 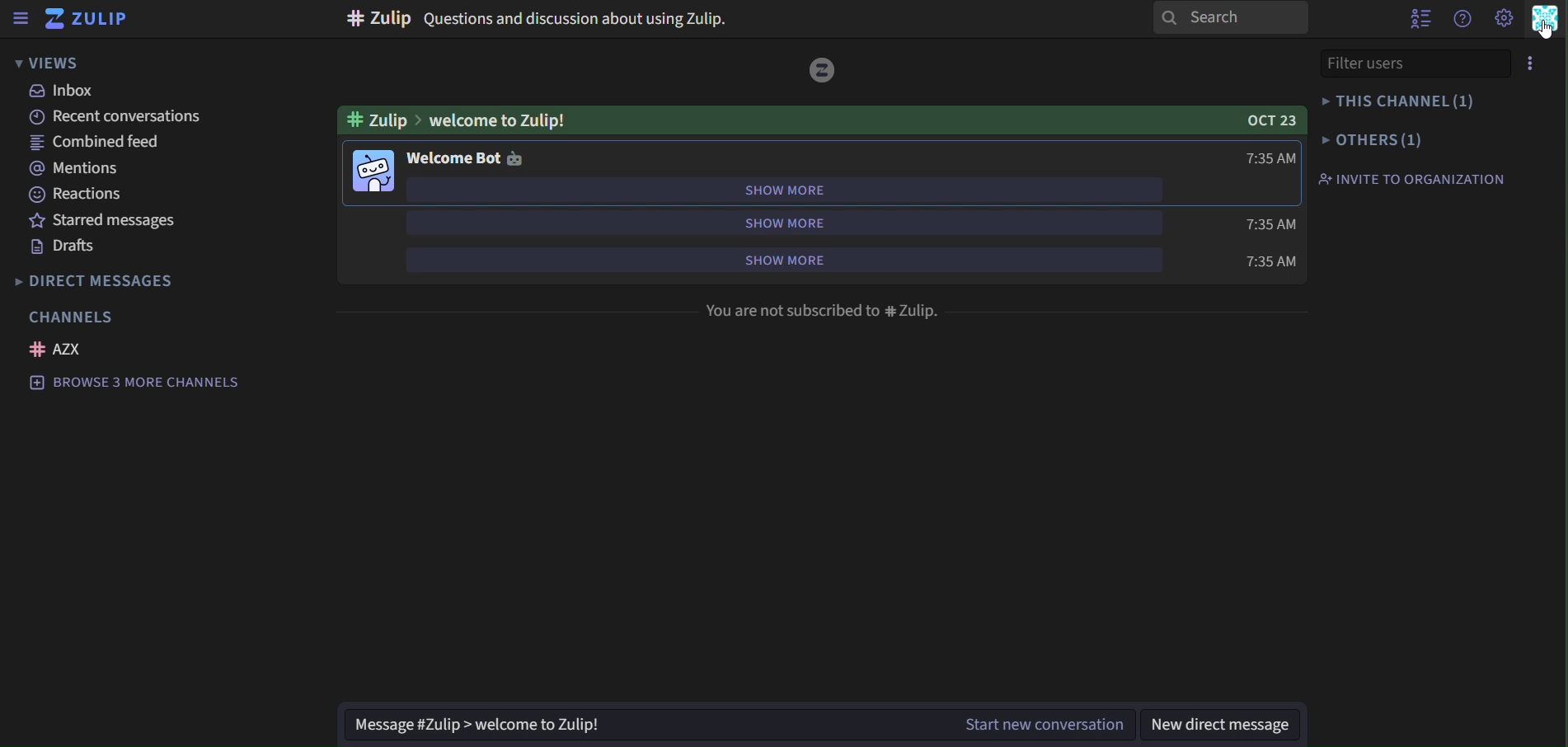 I want to click on mentions, so click(x=76, y=168).